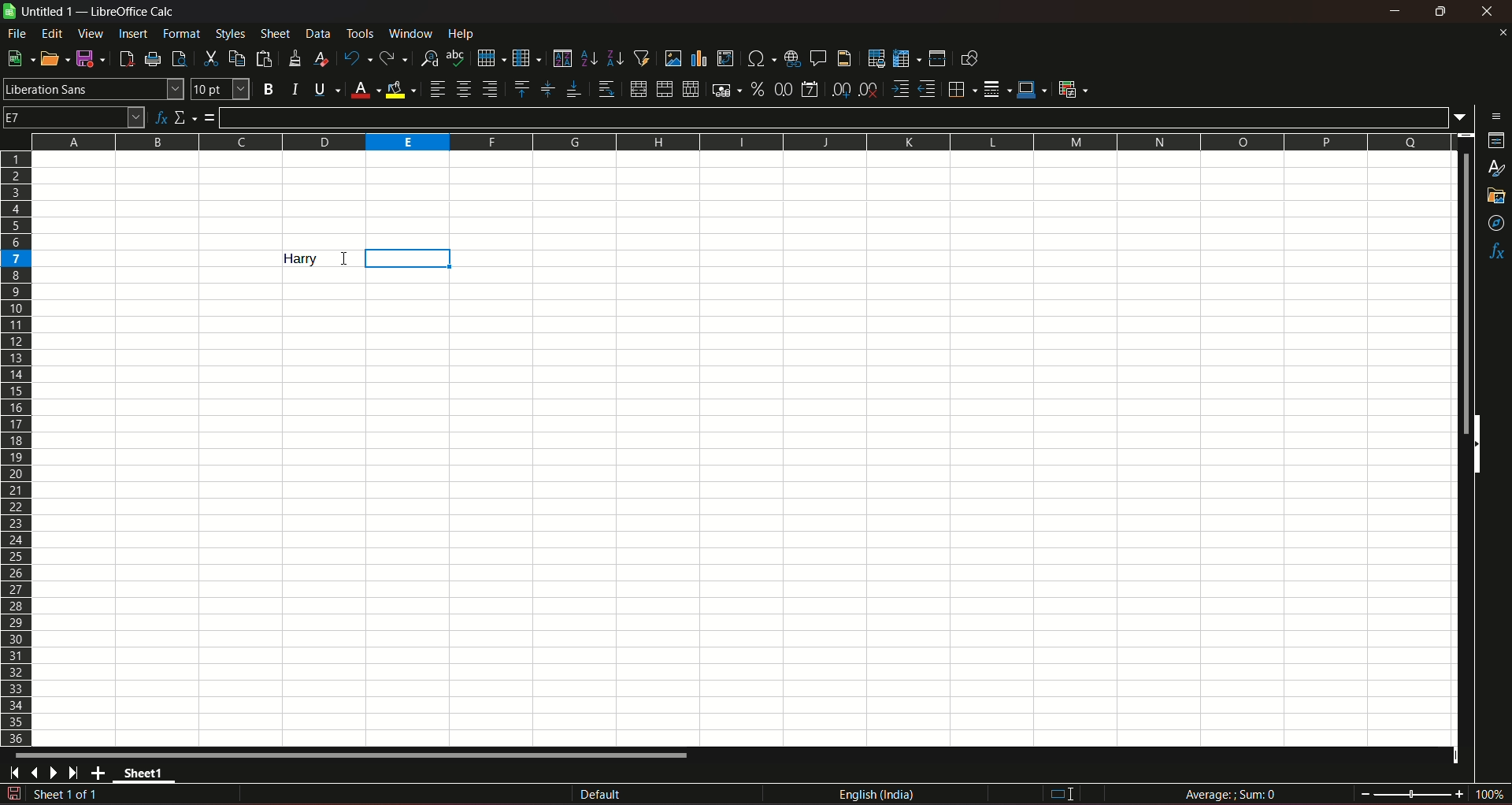 The image size is (1512, 805). What do you see at coordinates (296, 57) in the screenshot?
I see `clone formatting` at bounding box center [296, 57].